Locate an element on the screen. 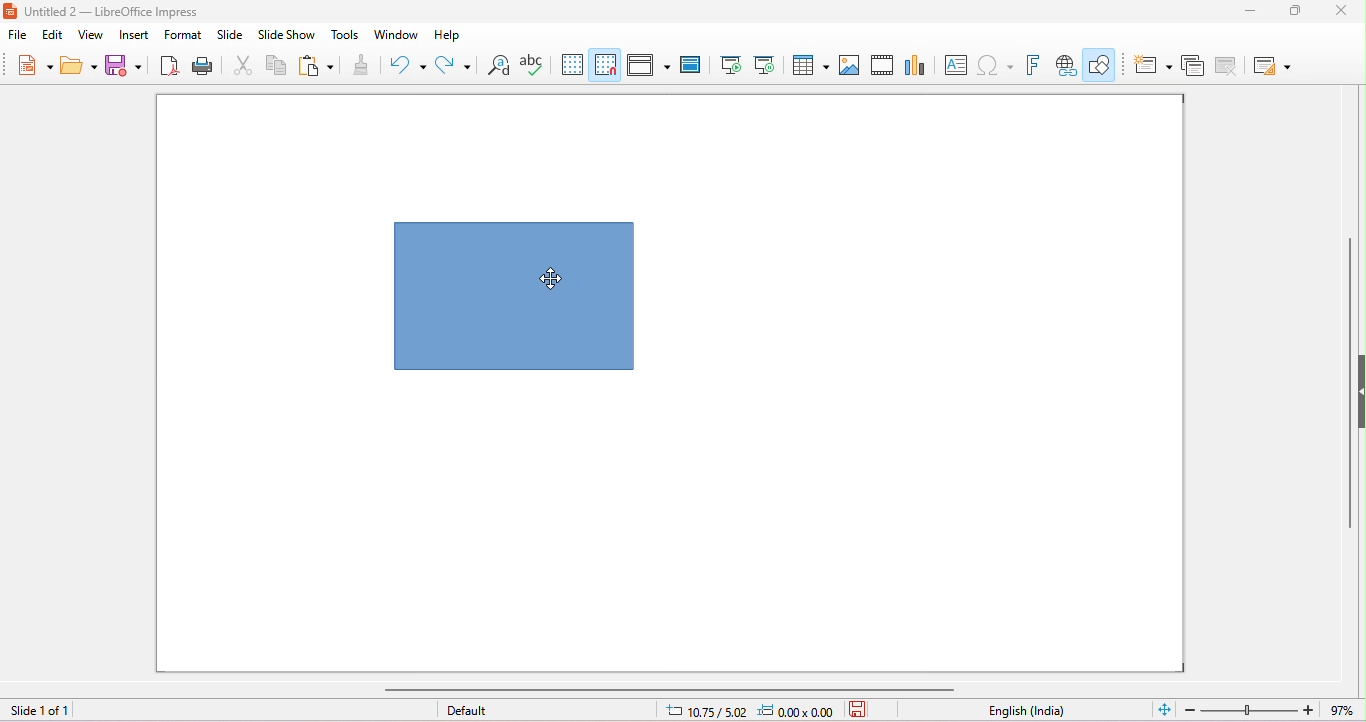 This screenshot has width=1366, height=722. maximize is located at coordinates (1298, 11).